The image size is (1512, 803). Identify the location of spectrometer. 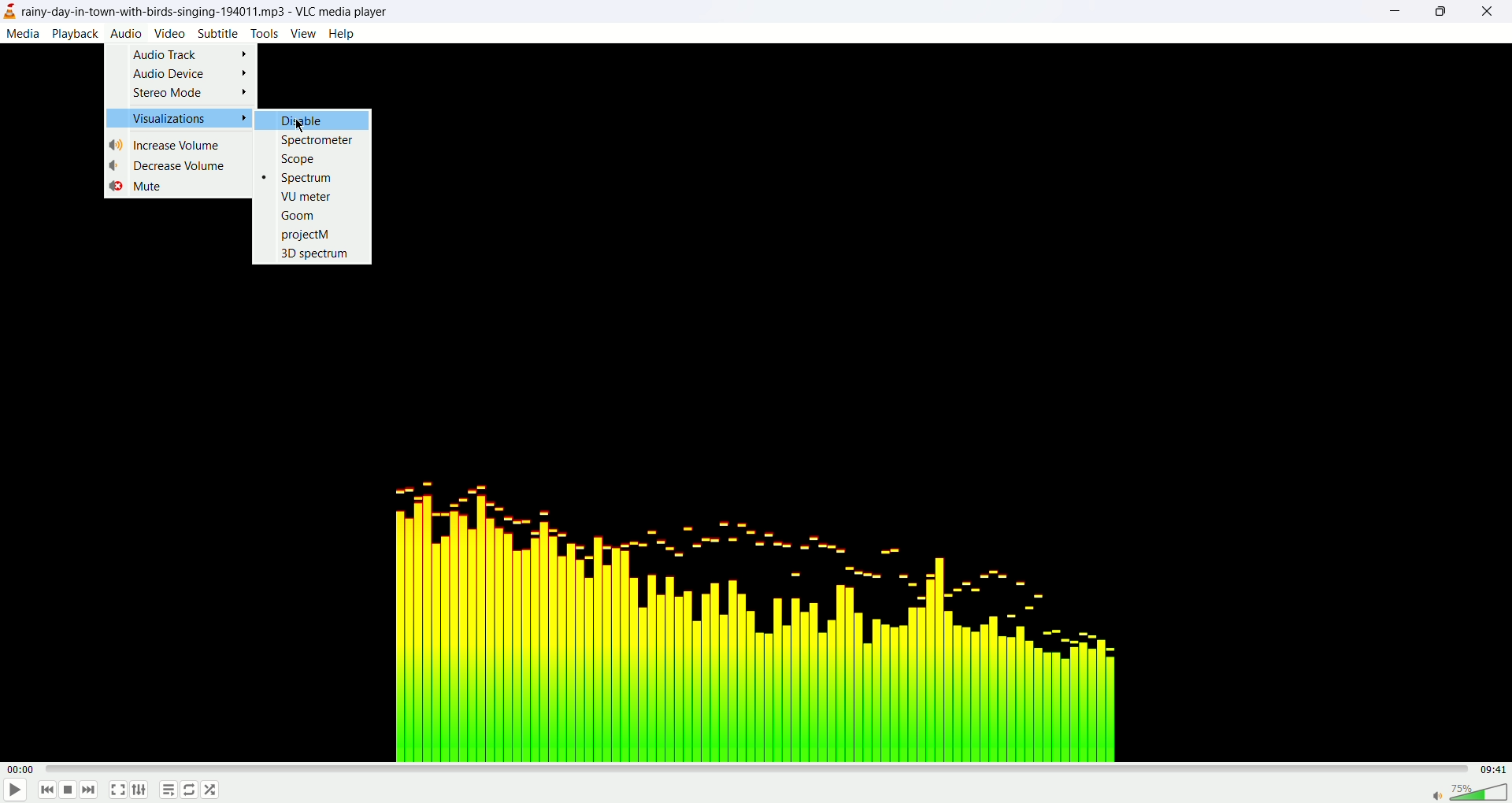
(318, 139).